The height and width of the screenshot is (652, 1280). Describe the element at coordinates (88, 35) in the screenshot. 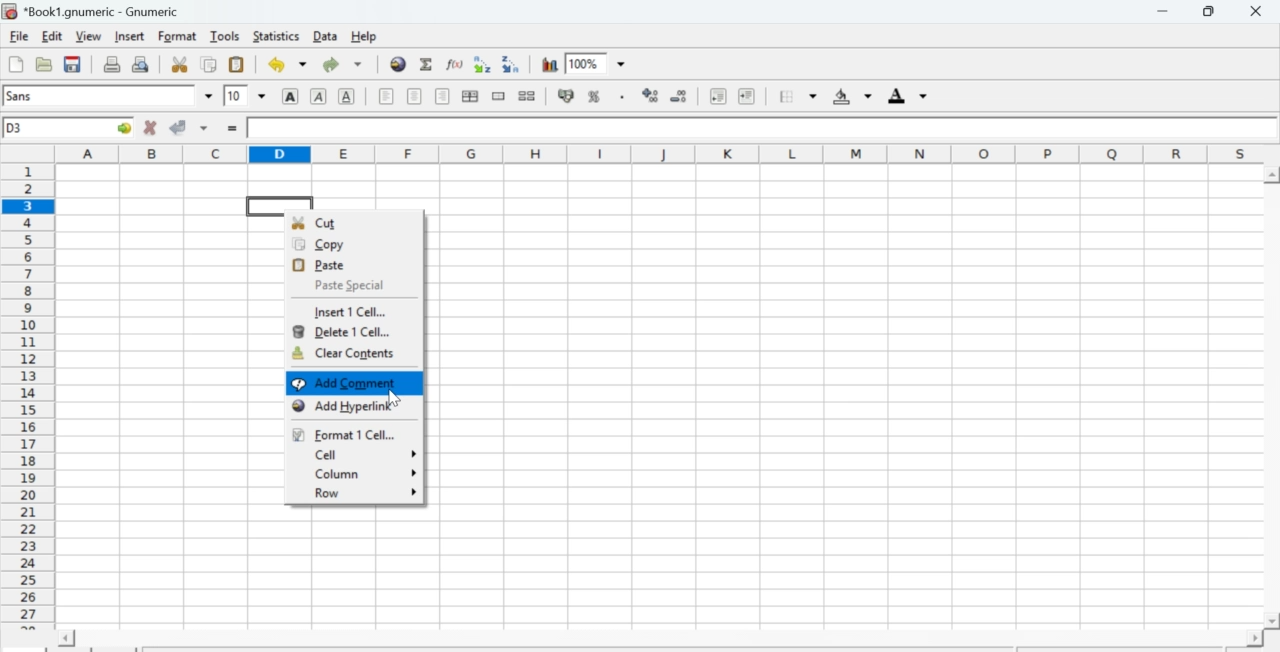

I see `View` at that location.